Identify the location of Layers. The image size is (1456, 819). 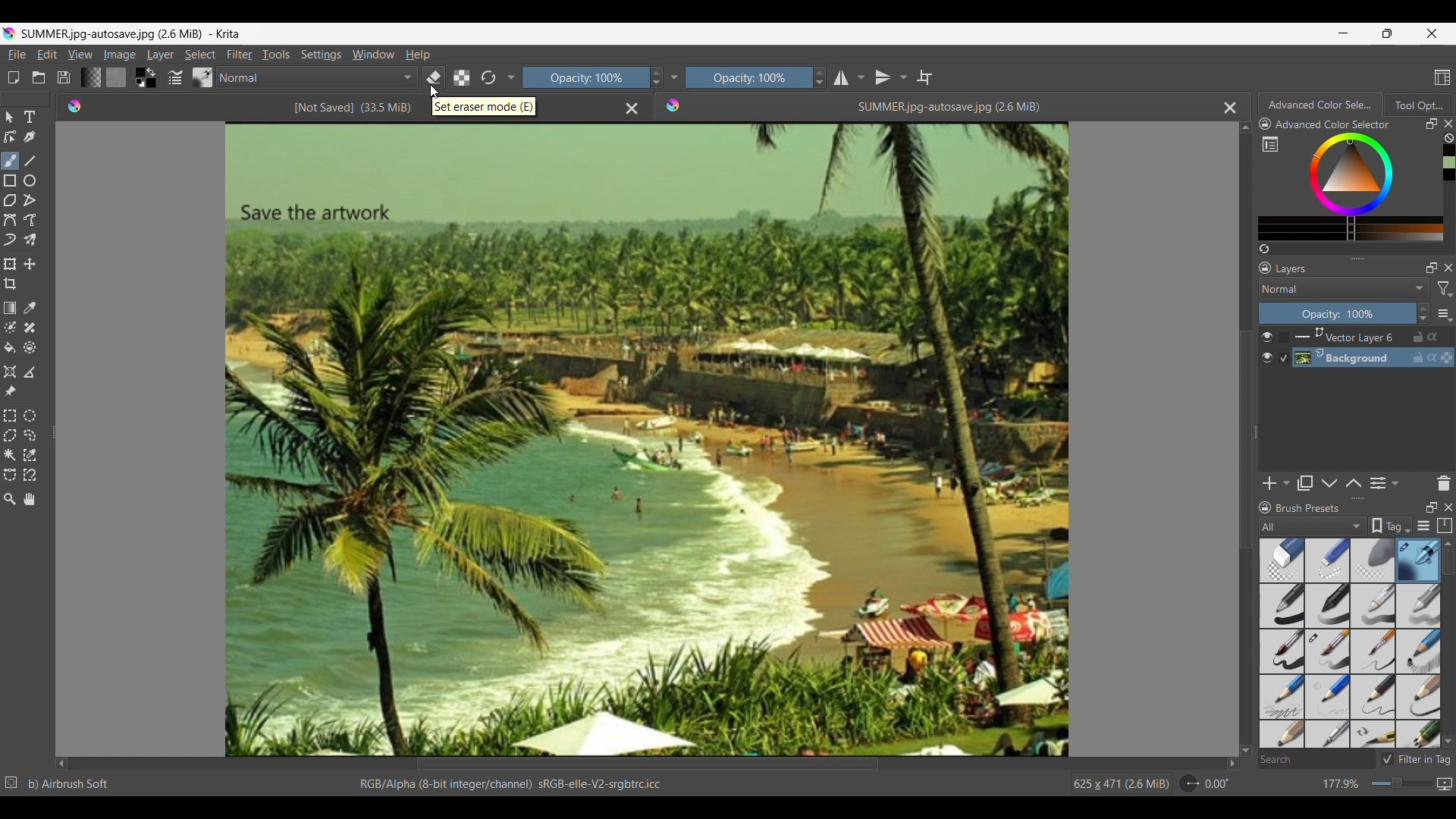
(1294, 268).